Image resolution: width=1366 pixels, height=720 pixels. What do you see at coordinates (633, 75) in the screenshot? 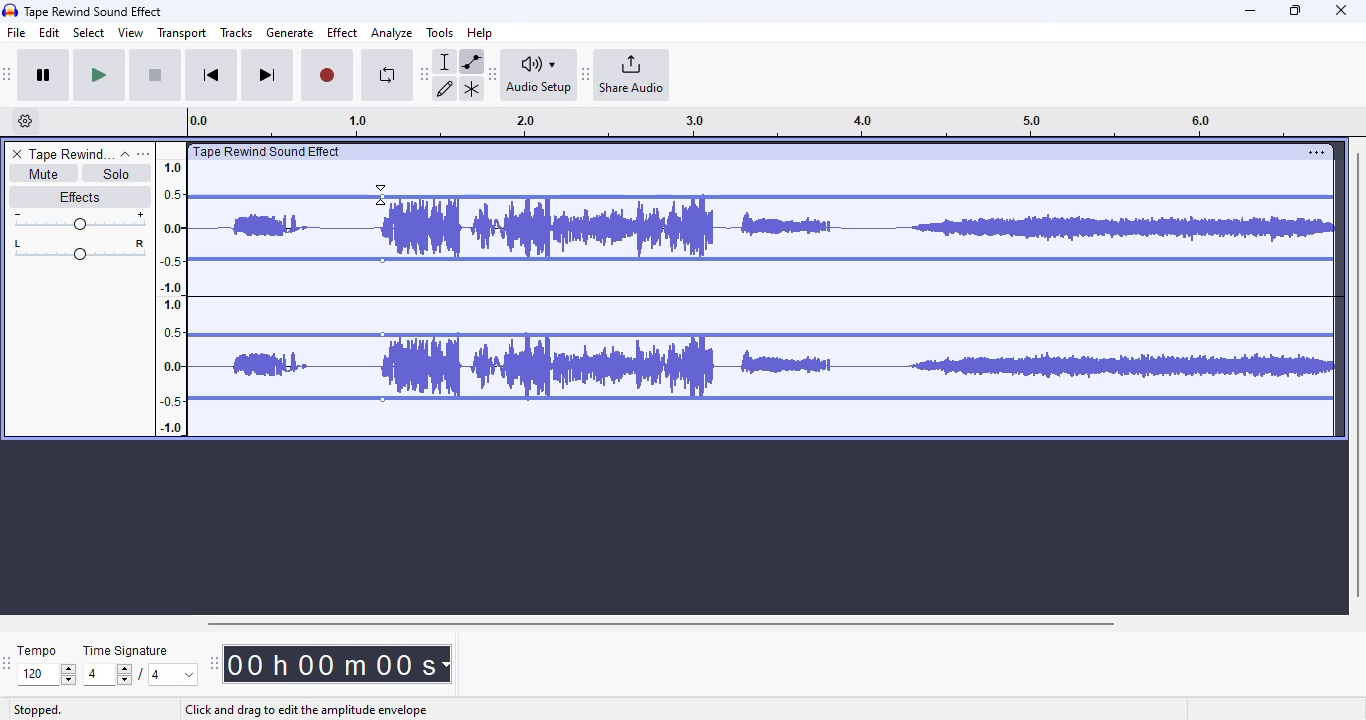
I see `share audio` at bounding box center [633, 75].